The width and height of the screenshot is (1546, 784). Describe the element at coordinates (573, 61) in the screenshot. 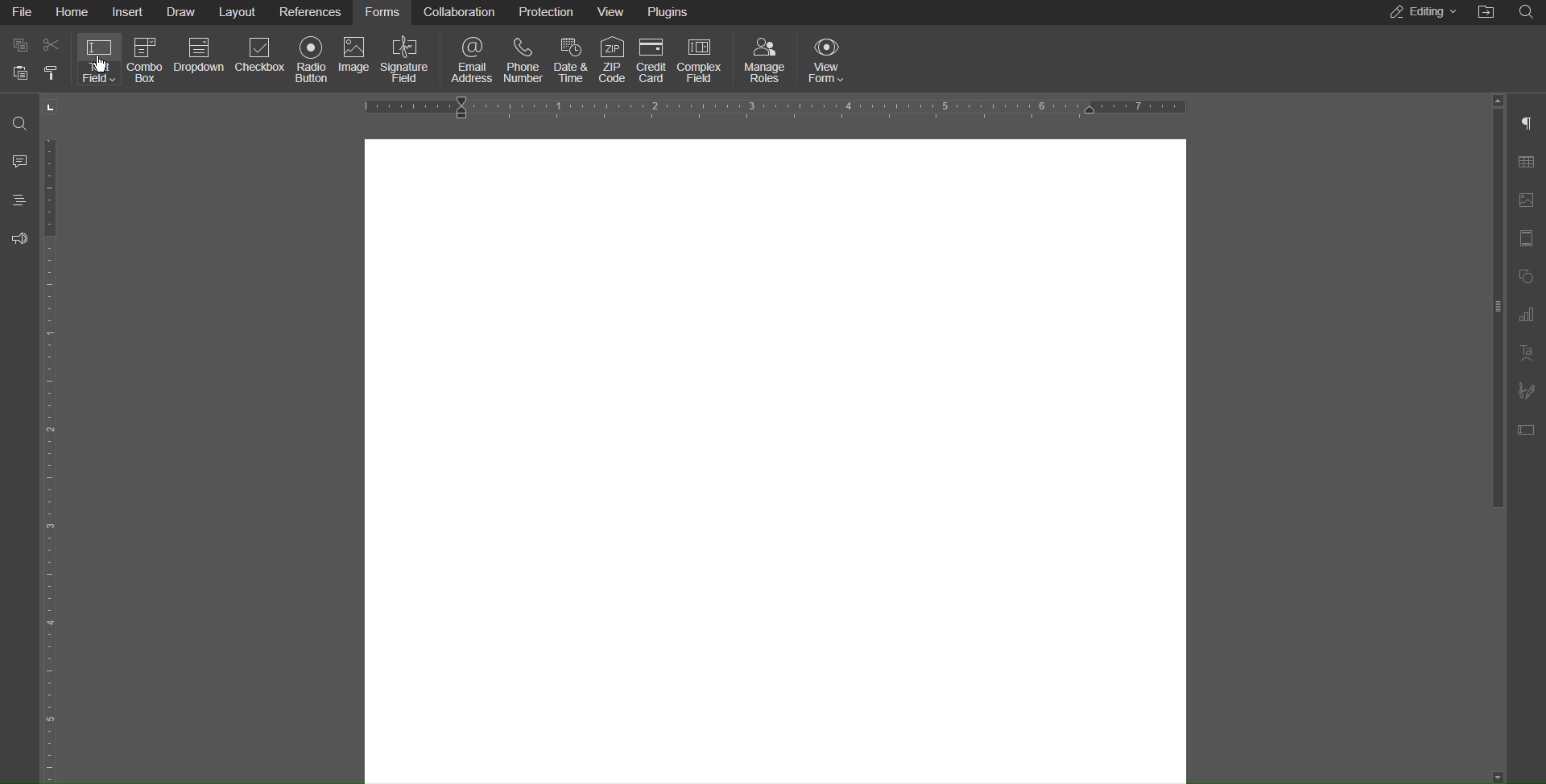

I see `Date & Time` at that location.